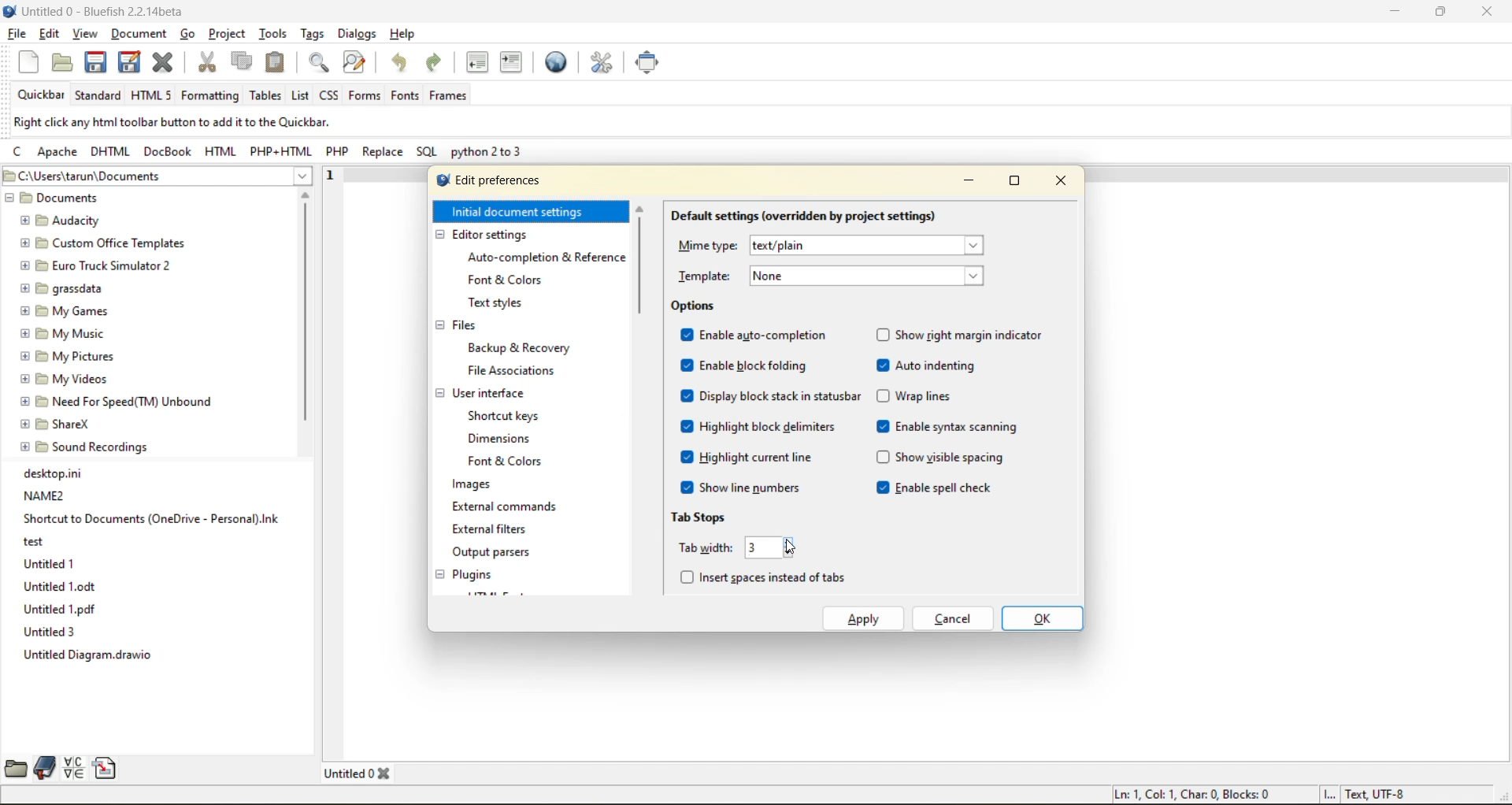 Image resolution: width=1512 pixels, height=805 pixels. I want to click on @ [5 My Games, so click(62, 310).